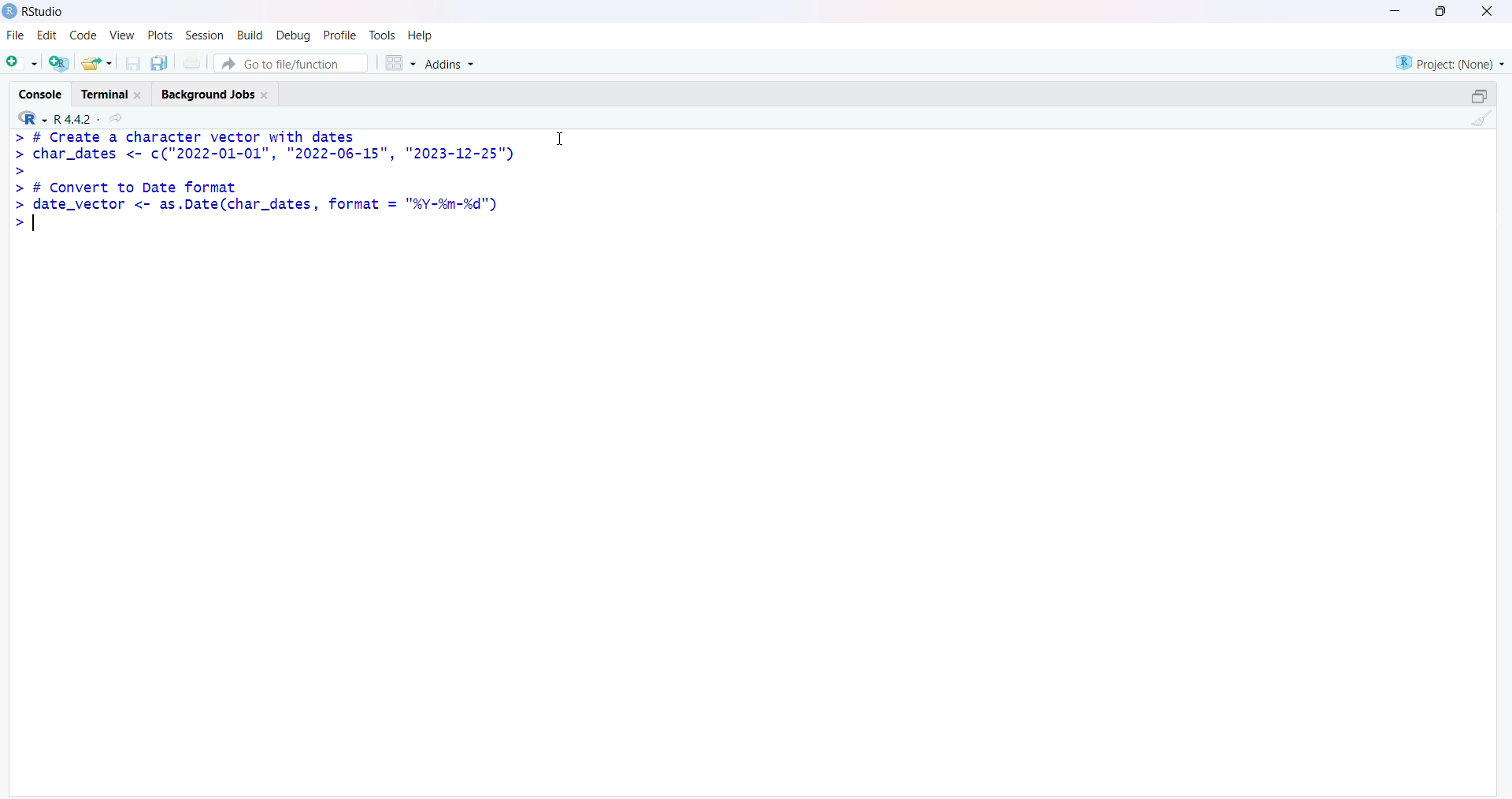 The width and height of the screenshot is (1512, 799). I want to click on Profile, so click(339, 33).